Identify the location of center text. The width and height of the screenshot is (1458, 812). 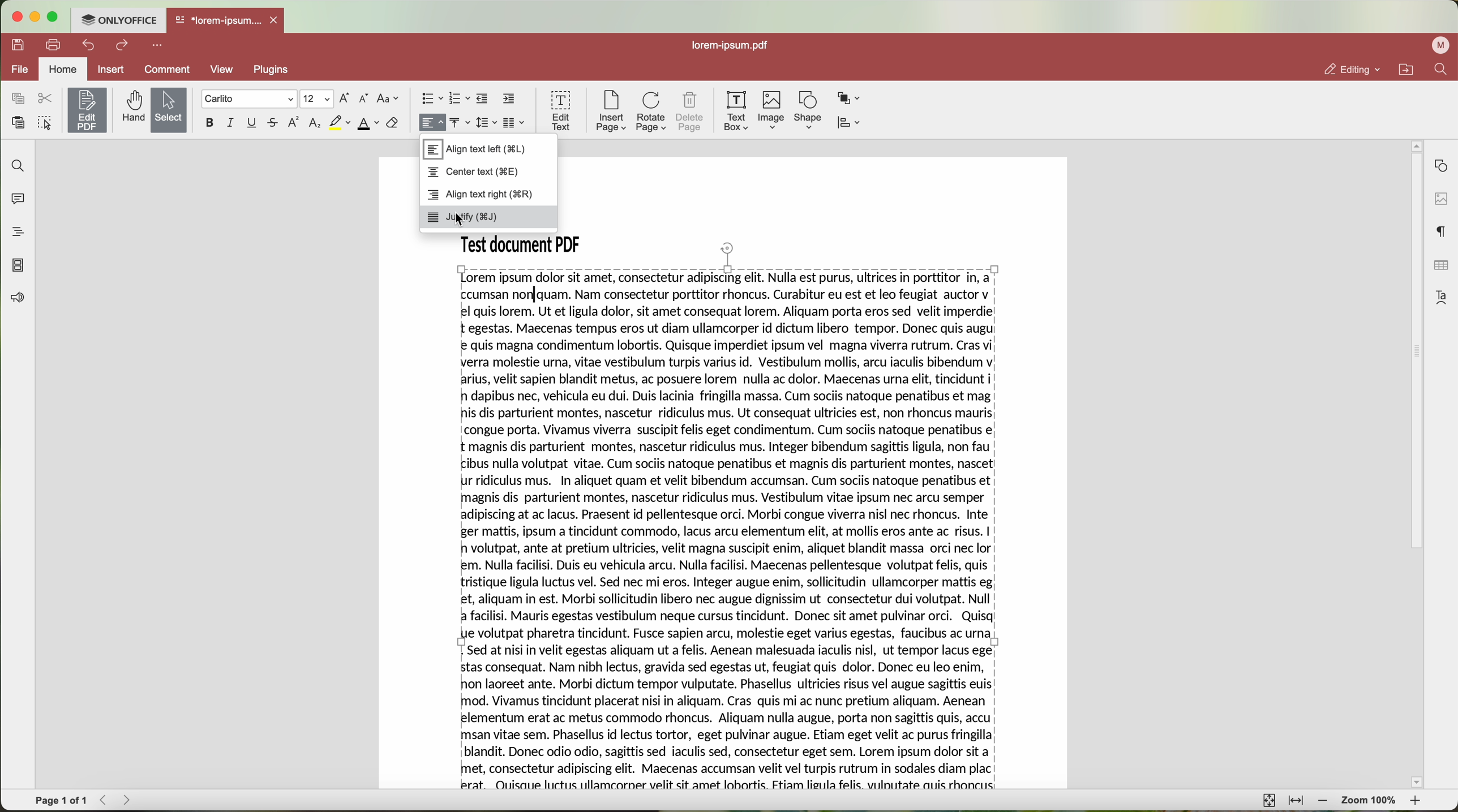
(474, 173).